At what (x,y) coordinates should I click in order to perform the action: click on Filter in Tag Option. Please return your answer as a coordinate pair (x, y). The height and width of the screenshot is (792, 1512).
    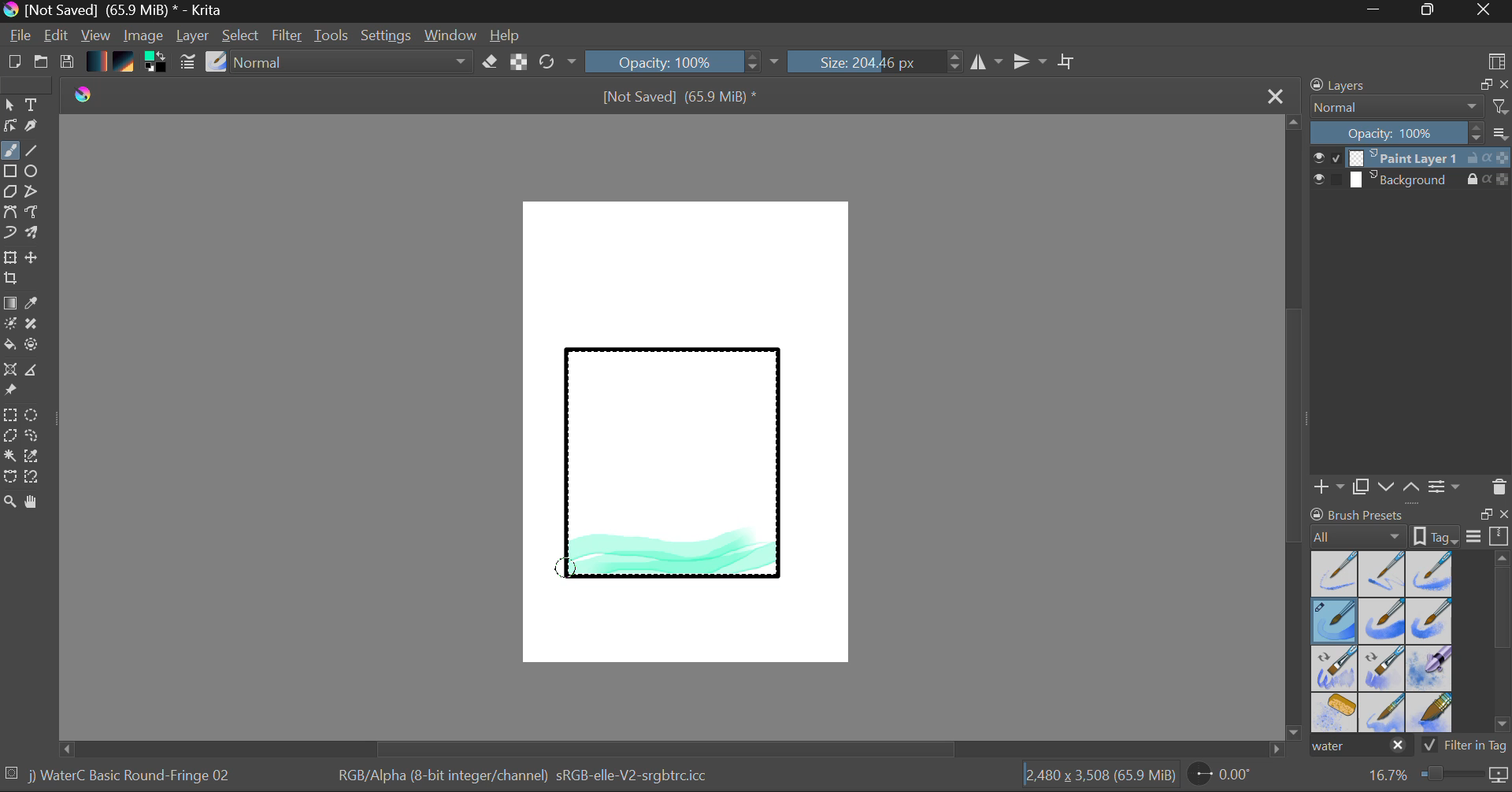
    Looking at the image, I should click on (1466, 747).